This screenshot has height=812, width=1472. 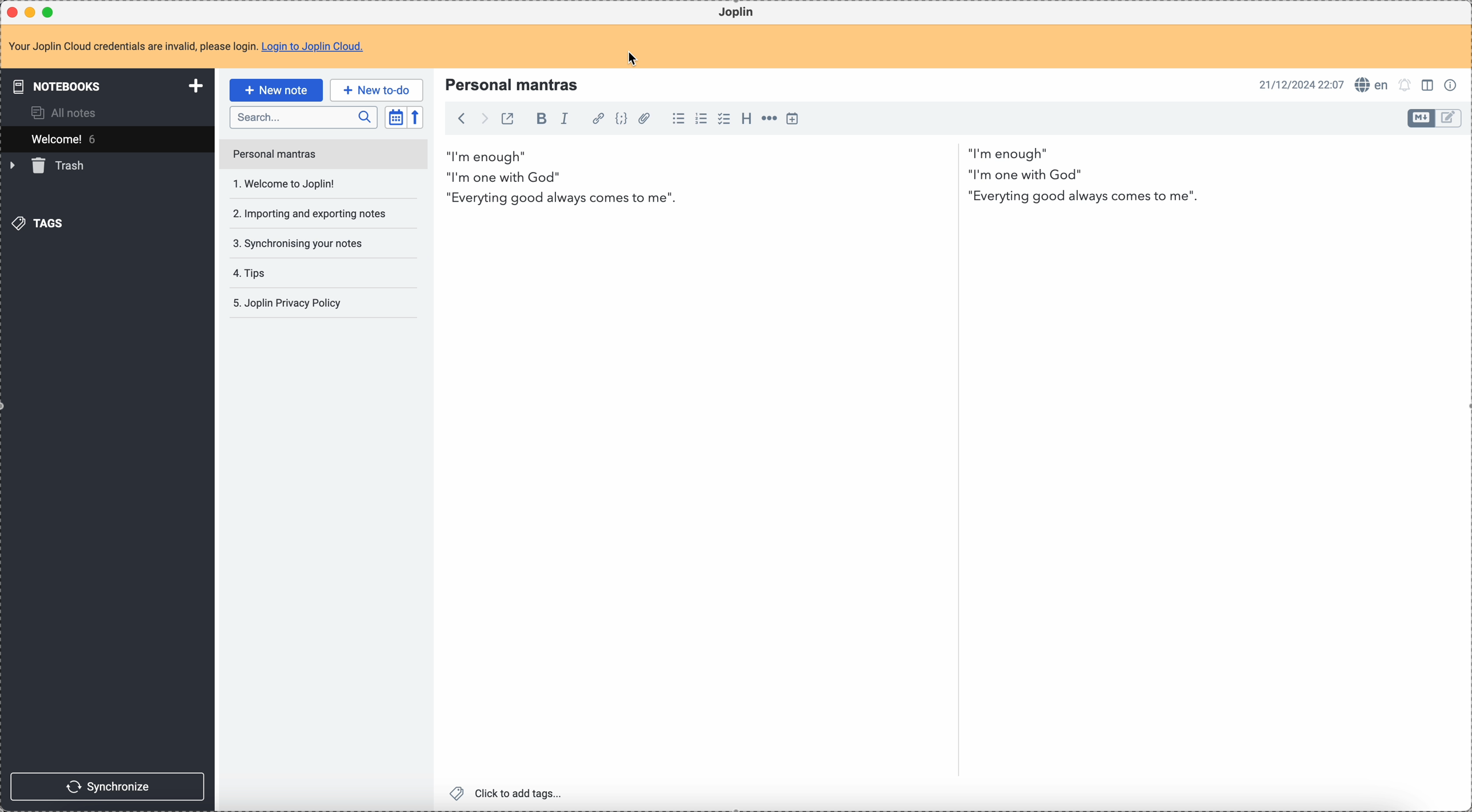 What do you see at coordinates (37, 223) in the screenshot?
I see `tags` at bounding box center [37, 223].